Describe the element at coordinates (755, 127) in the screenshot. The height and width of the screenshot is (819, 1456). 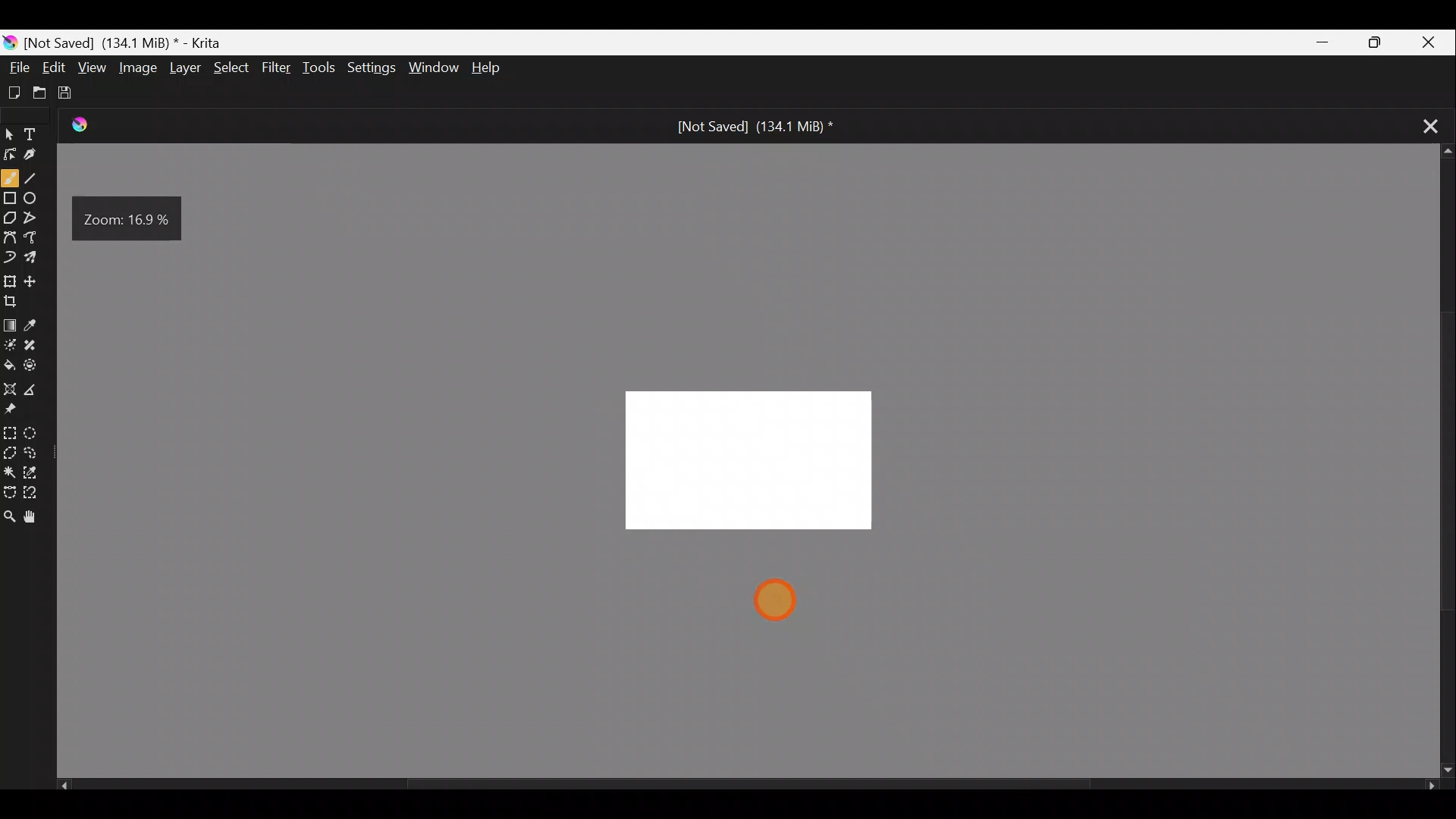
I see `[Not Saved] (134.1 MiB)` at that location.